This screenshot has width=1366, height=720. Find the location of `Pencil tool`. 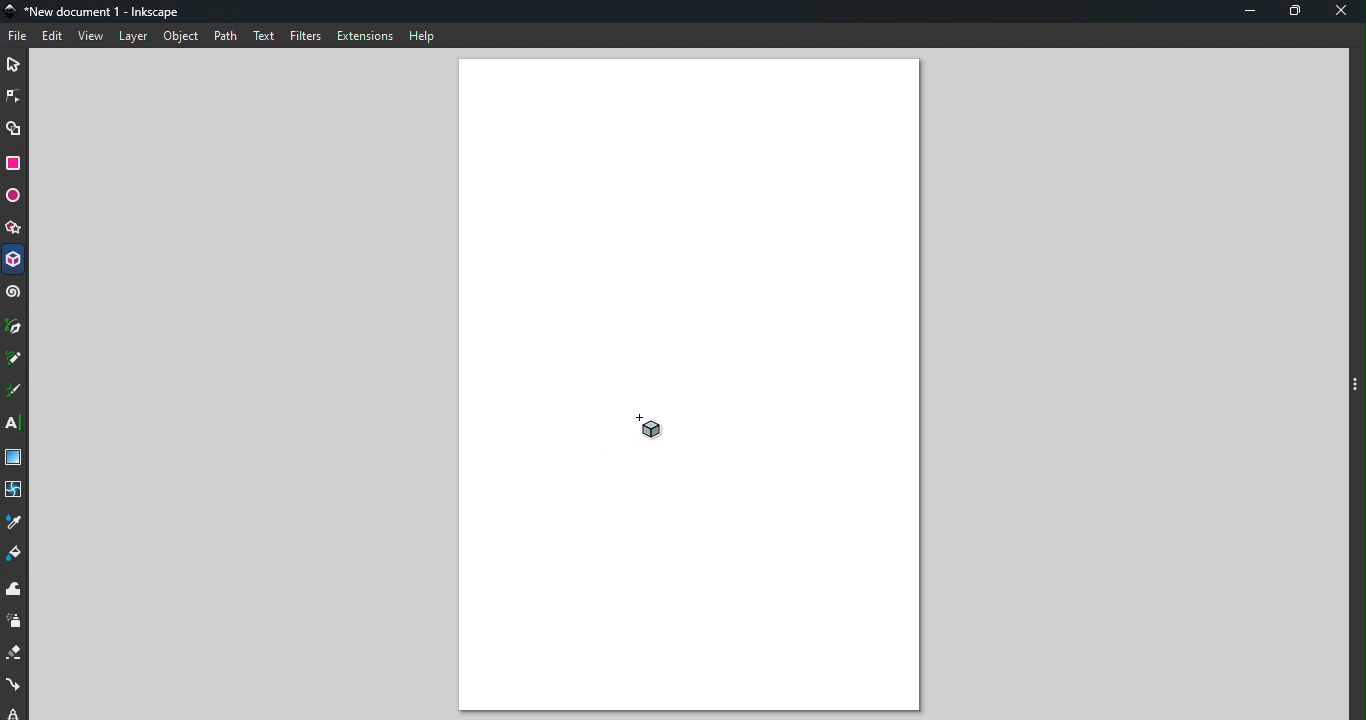

Pencil tool is located at coordinates (16, 358).